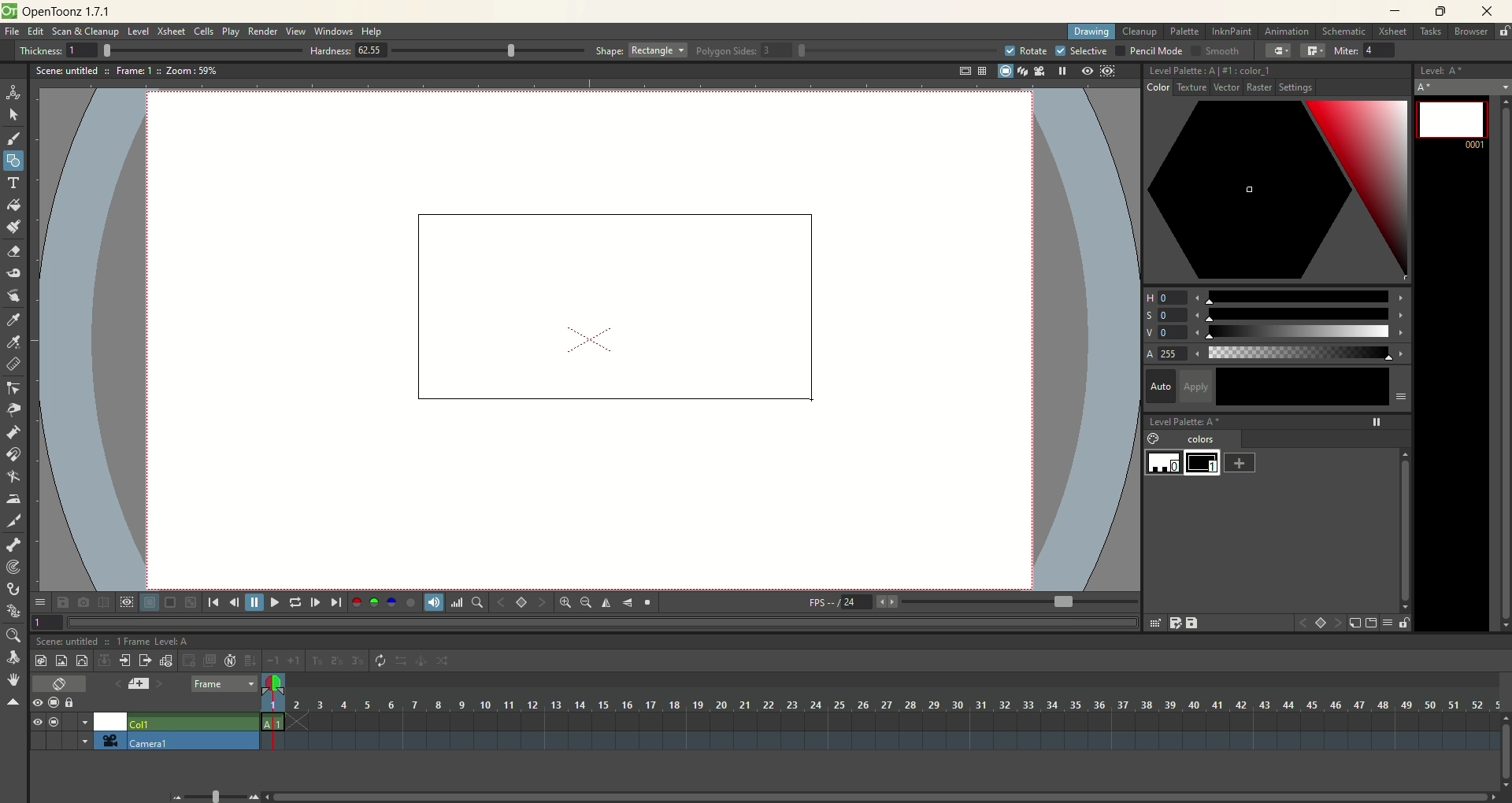 This screenshot has height=803, width=1512. What do you see at coordinates (542, 603) in the screenshot?
I see `next key` at bounding box center [542, 603].